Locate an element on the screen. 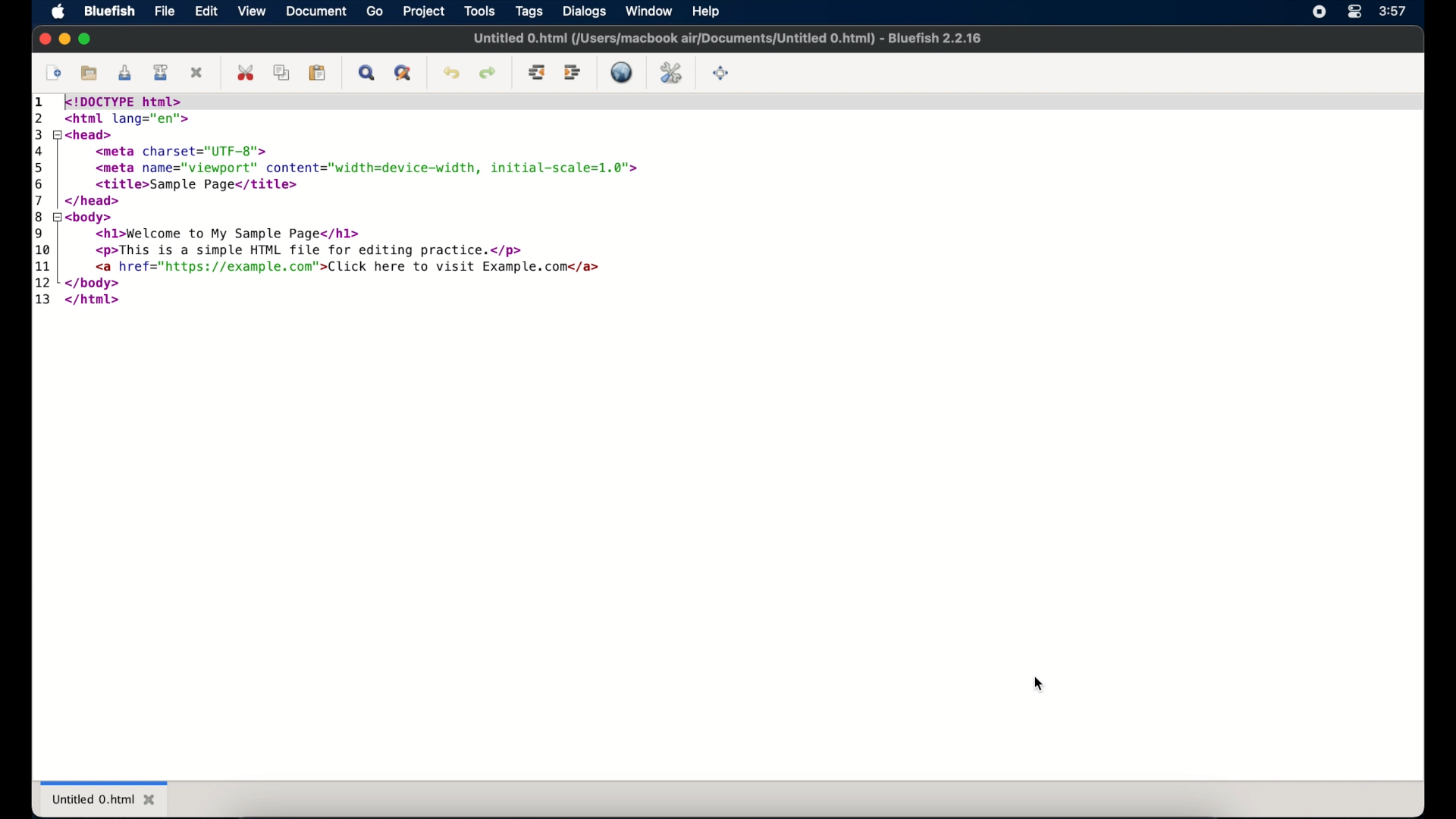 The width and height of the screenshot is (1456, 819). edit is located at coordinates (206, 12).